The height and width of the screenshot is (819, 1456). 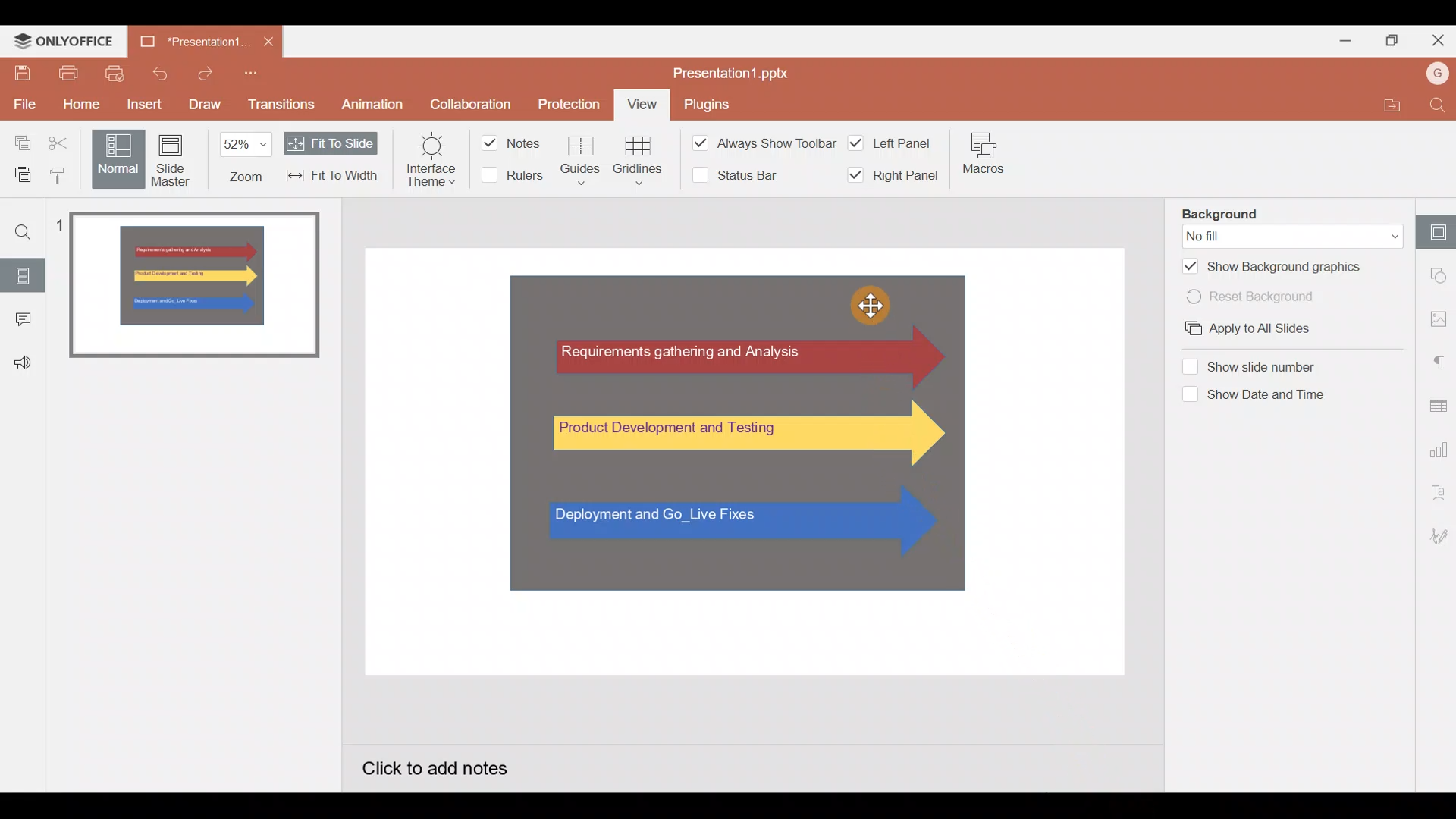 I want to click on Right panel, so click(x=890, y=176).